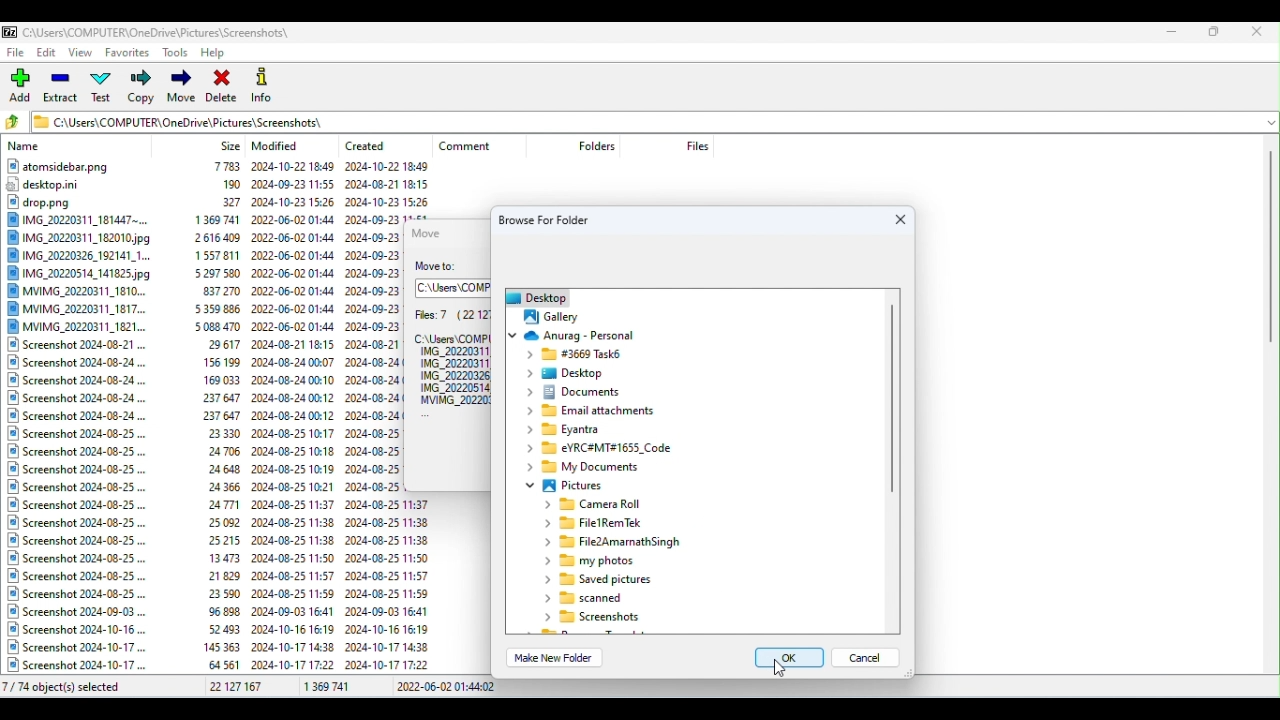  I want to click on Folders, so click(597, 505).